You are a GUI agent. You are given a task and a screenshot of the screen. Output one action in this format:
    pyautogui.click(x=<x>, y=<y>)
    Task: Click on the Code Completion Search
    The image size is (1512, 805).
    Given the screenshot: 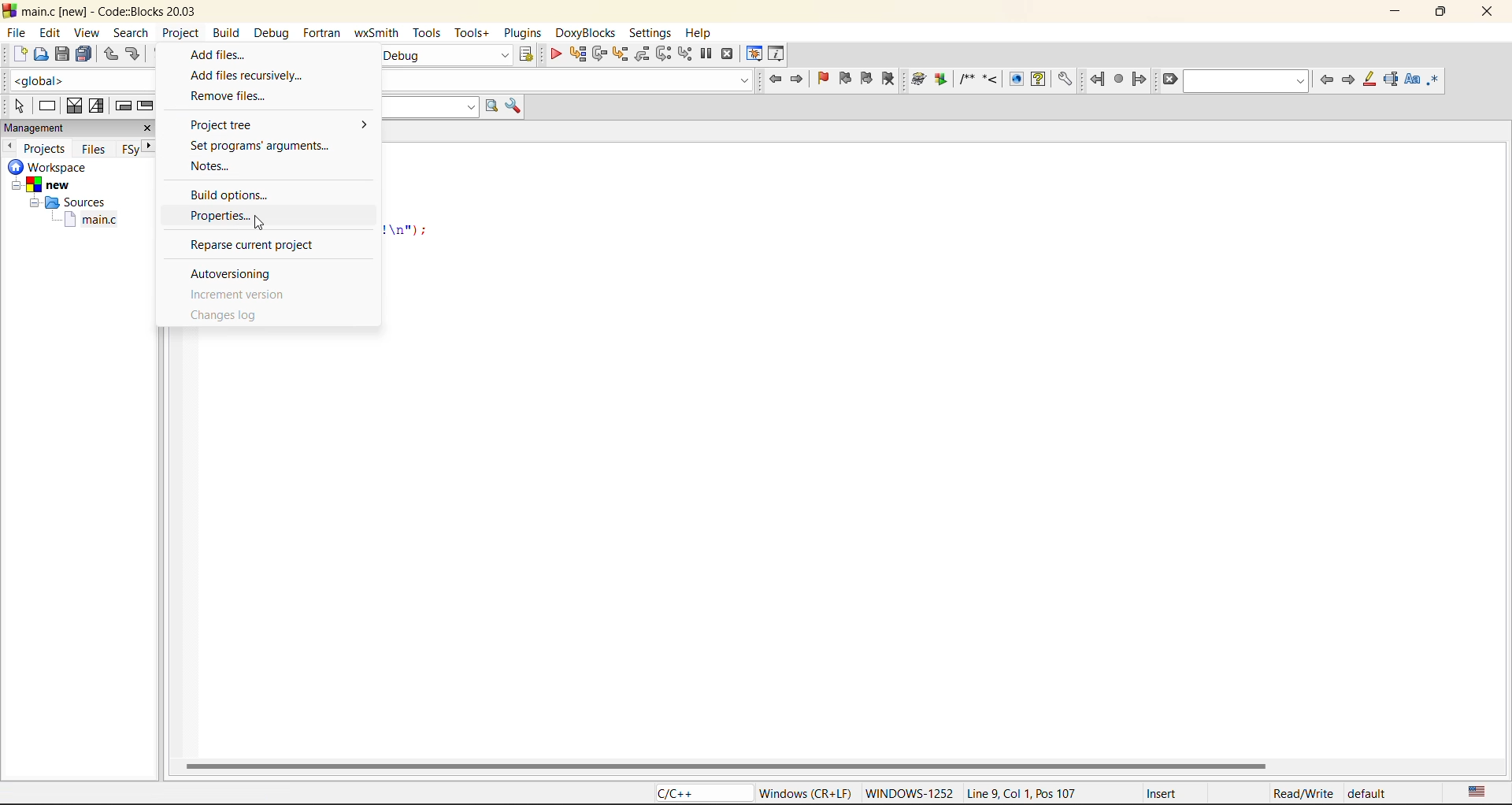 What is the action you would take?
    pyautogui.click(x=567, y=80)
    